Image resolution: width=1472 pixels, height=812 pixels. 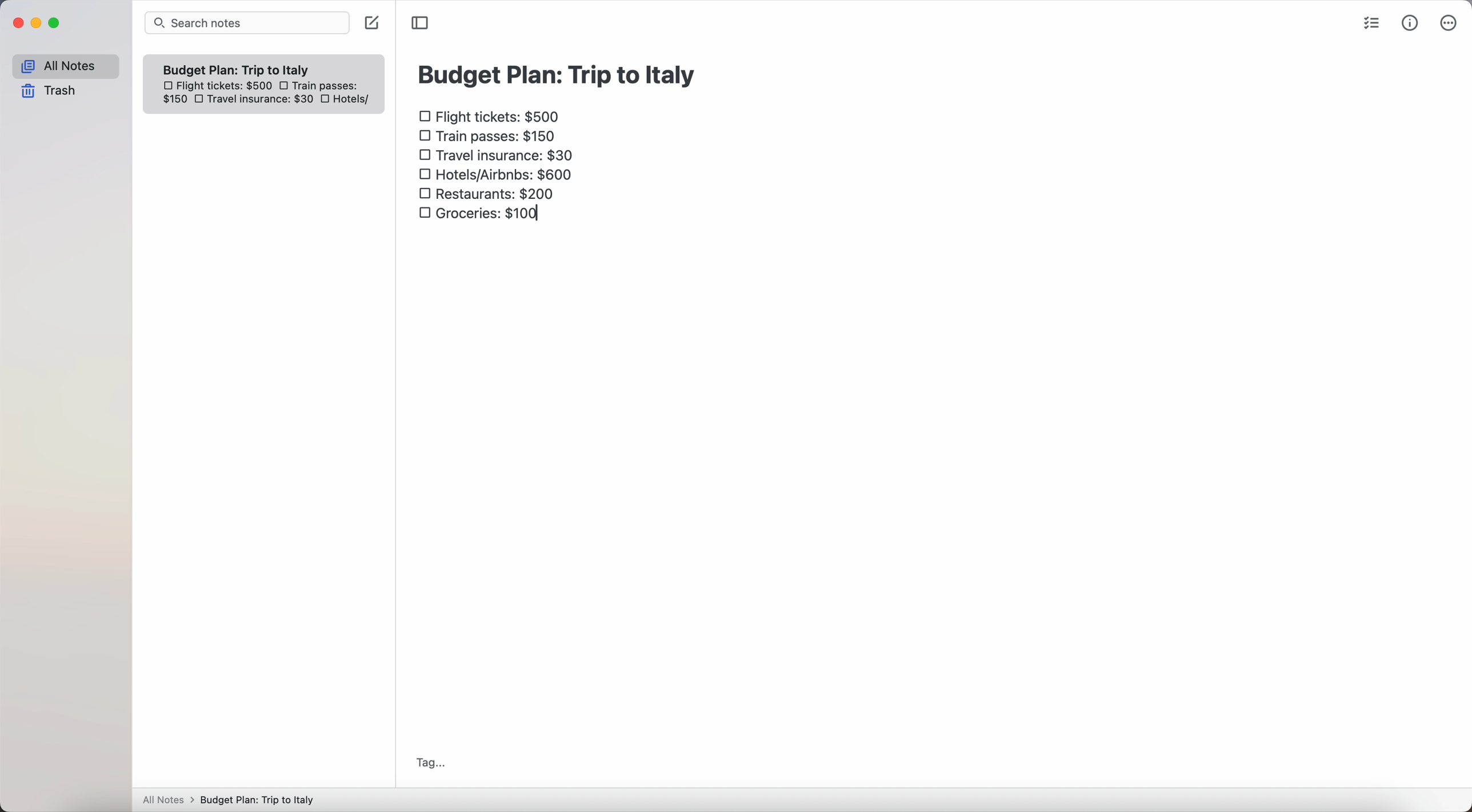 What do you see at coordinates (498, 155) in the screenshot?
I see `travel insurance: $30 checkbox` at bounding box center [498, 155].